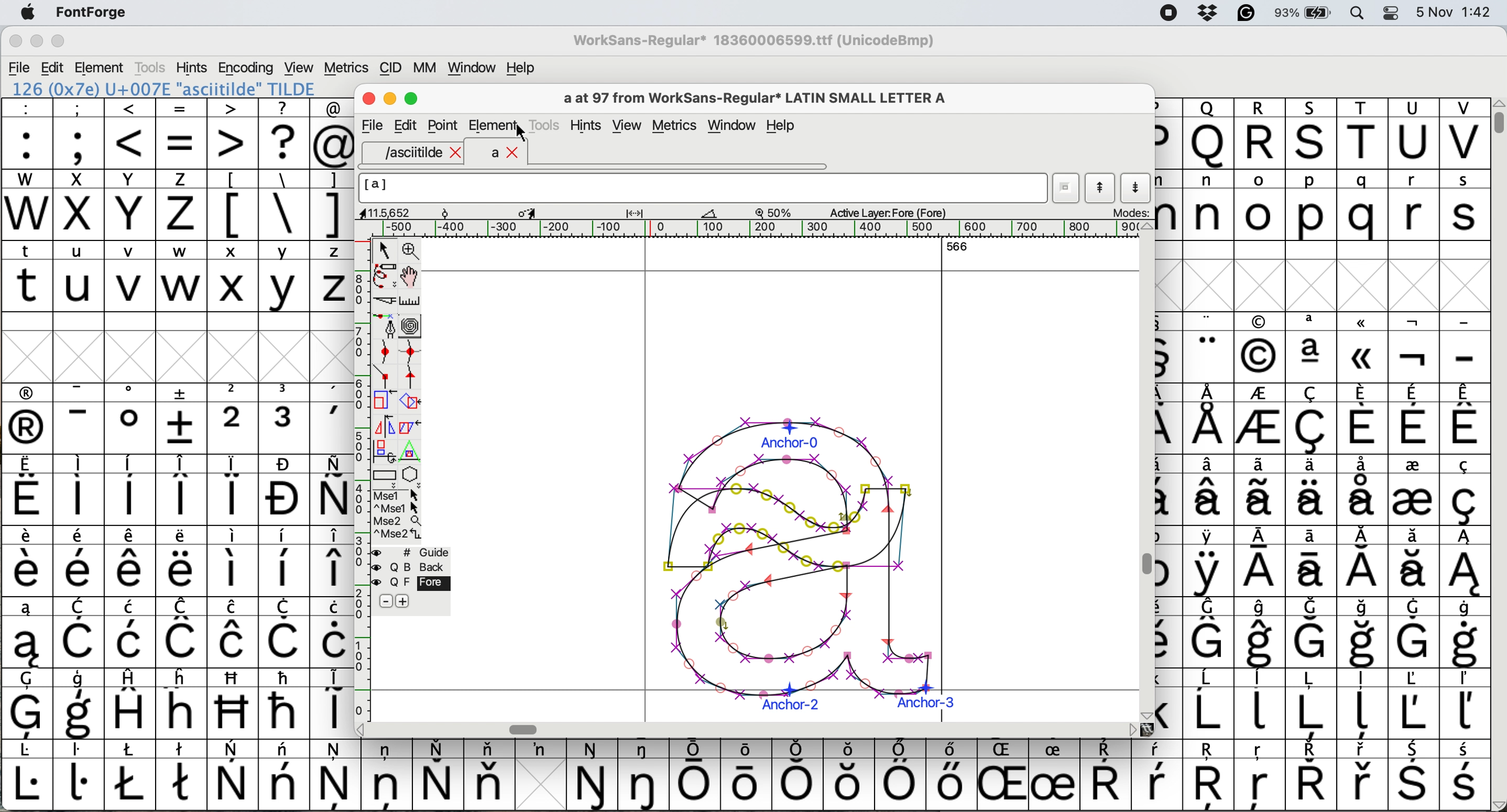 The width and height of the screenshot is (1507, 812). I want to click on symbol, so click(1365, 705).